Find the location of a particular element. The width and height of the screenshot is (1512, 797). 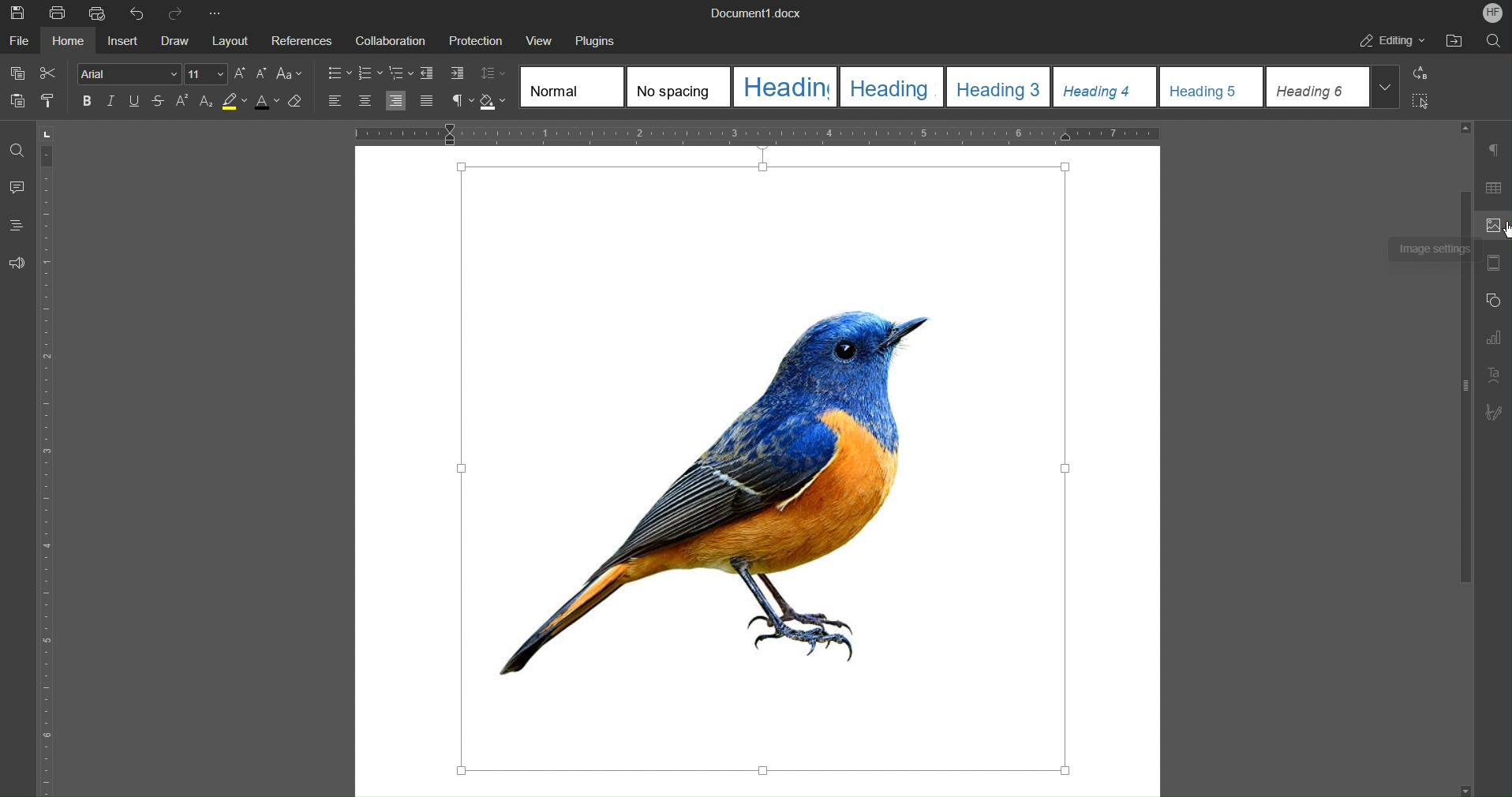

Copy Style is located at coordinates (51, 100).